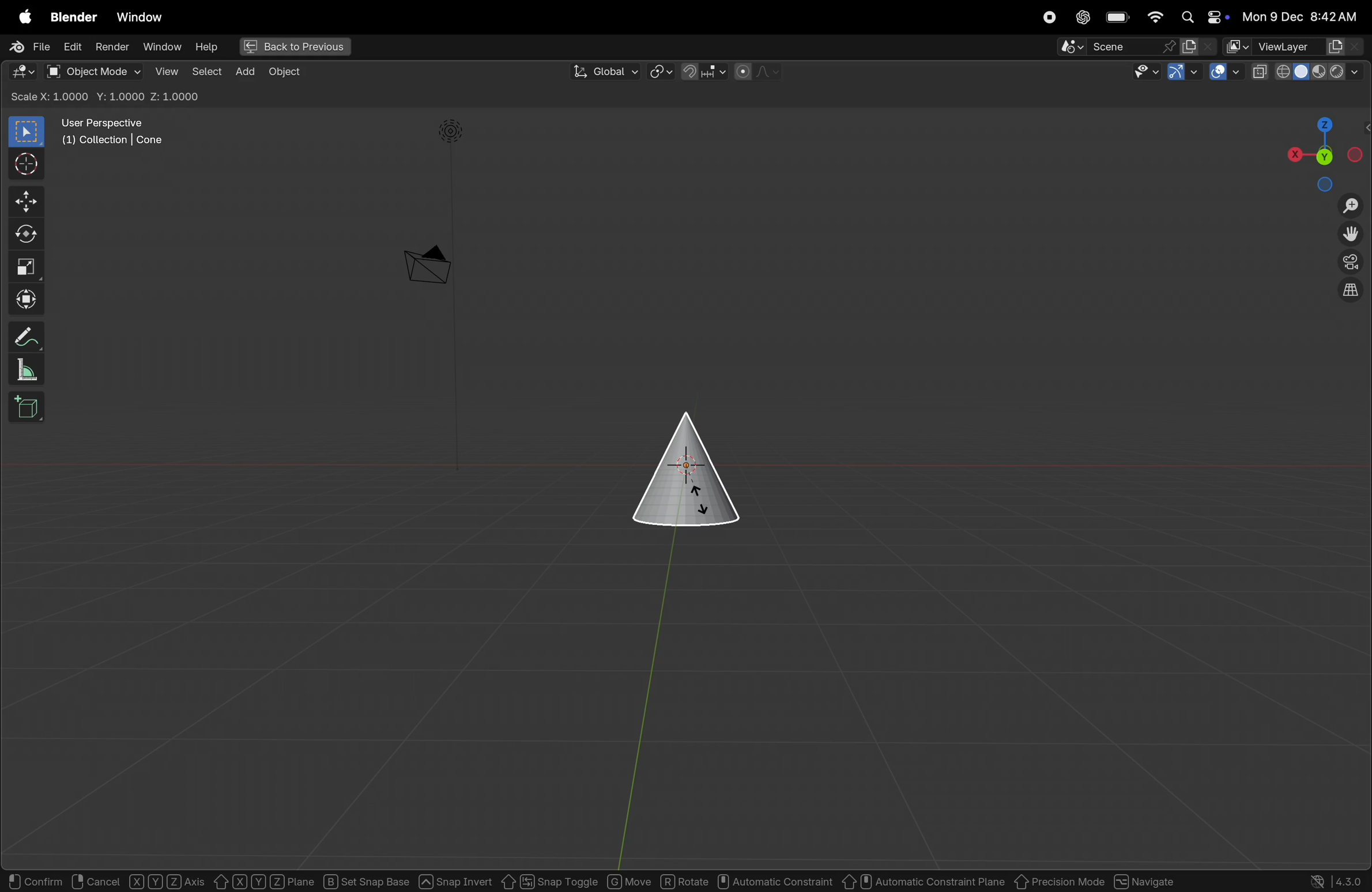 This screenshot has height=892, width=1372. I want to click on object mode, so click(93, 71).